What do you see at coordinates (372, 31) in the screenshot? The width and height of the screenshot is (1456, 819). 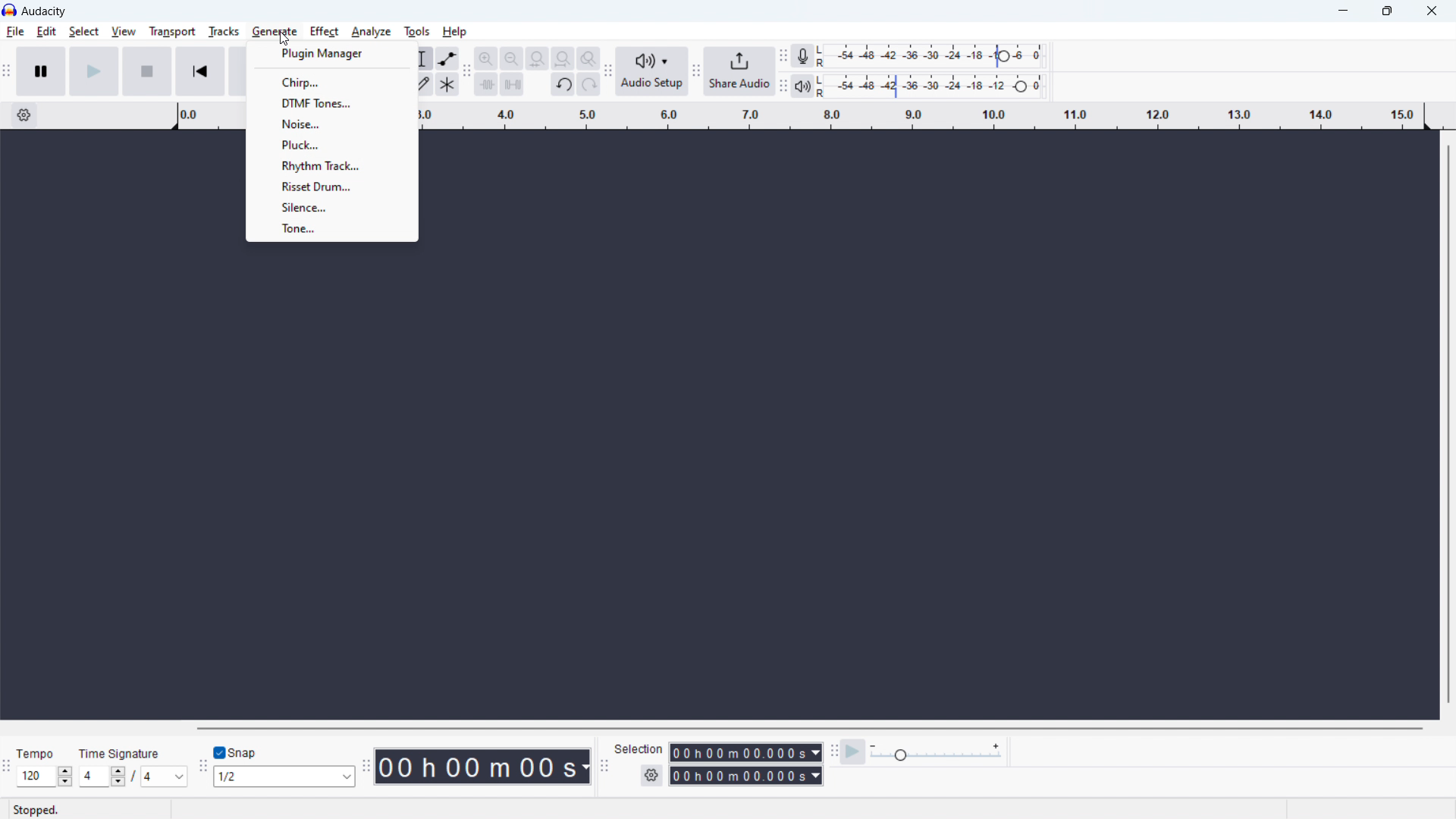 I see `analyze` at bounding box center [372, 31].